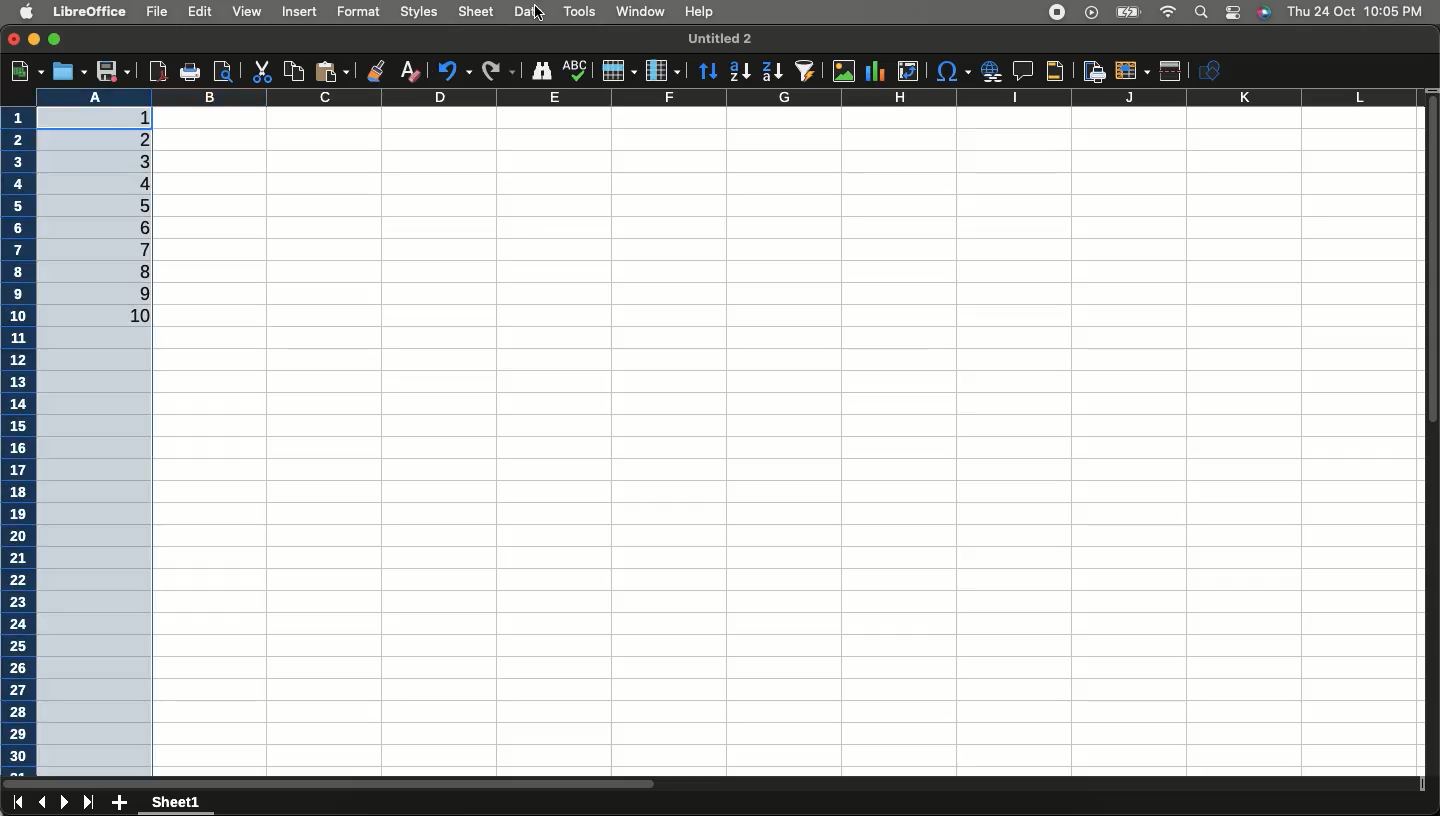 This screenshot has height=816, width=1440. What do you see at coordinates (336, 70) in the screenshot?
I see `Paste` at bounding box center [336, 70].